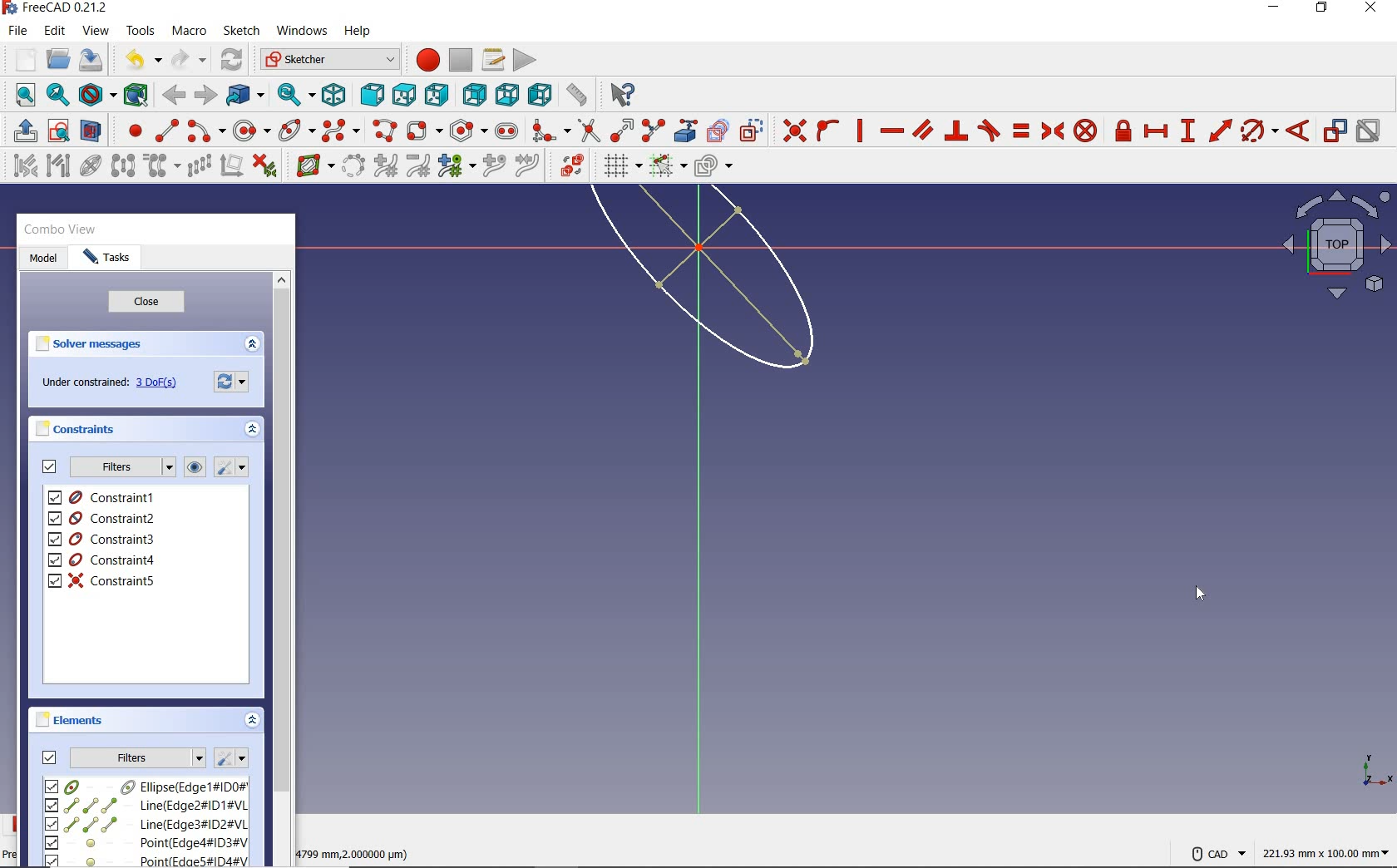 The height and width of the screenshot is (868, 1397). What do you see at coordinates (251, 345) in the screenshot?
I see `collapse` at bounding box center [251, 345].